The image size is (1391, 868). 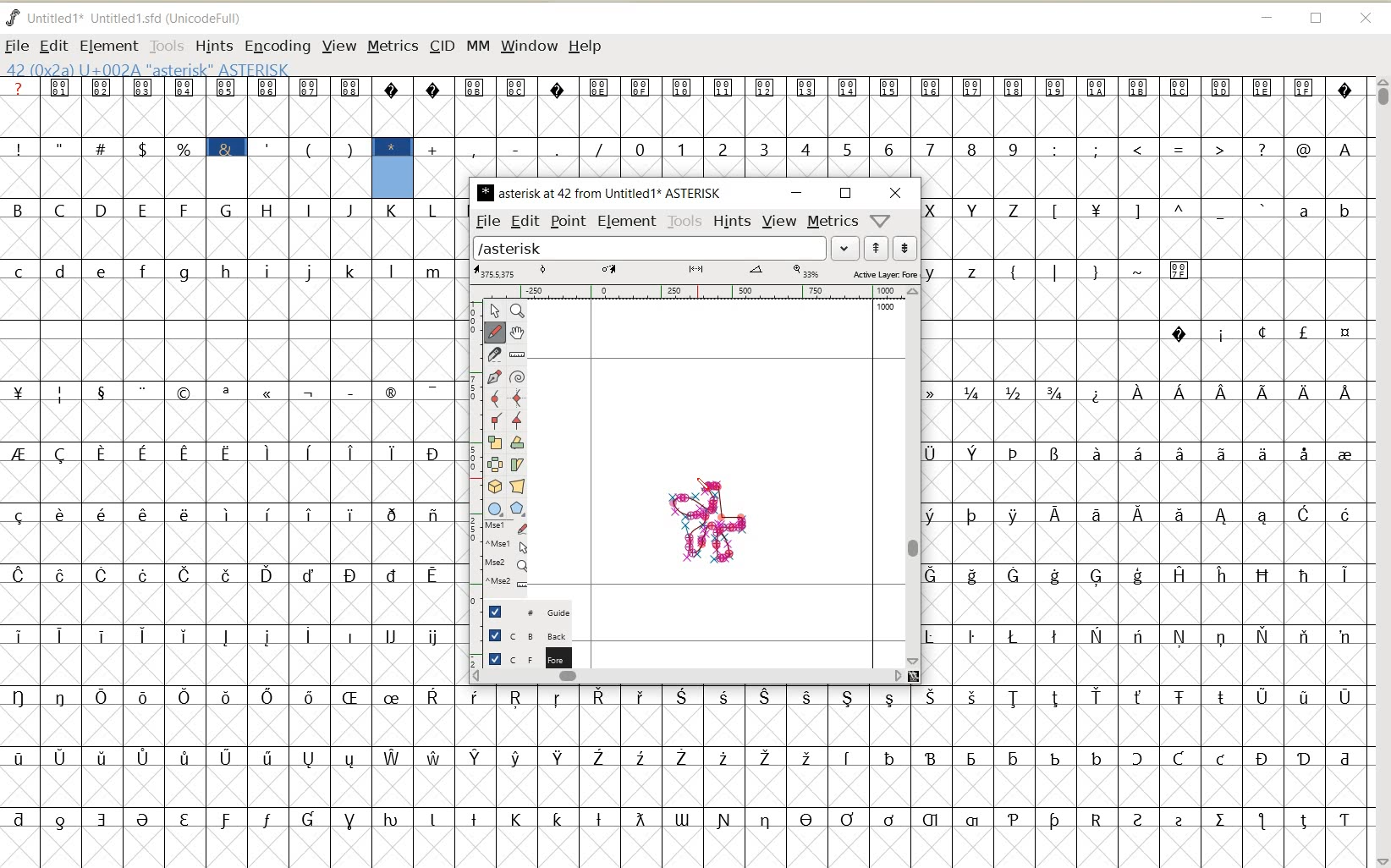 What do you see at coordinates (847, 193) in the screenshot?
I see `RESTORE` at bounding box center [847, 193].